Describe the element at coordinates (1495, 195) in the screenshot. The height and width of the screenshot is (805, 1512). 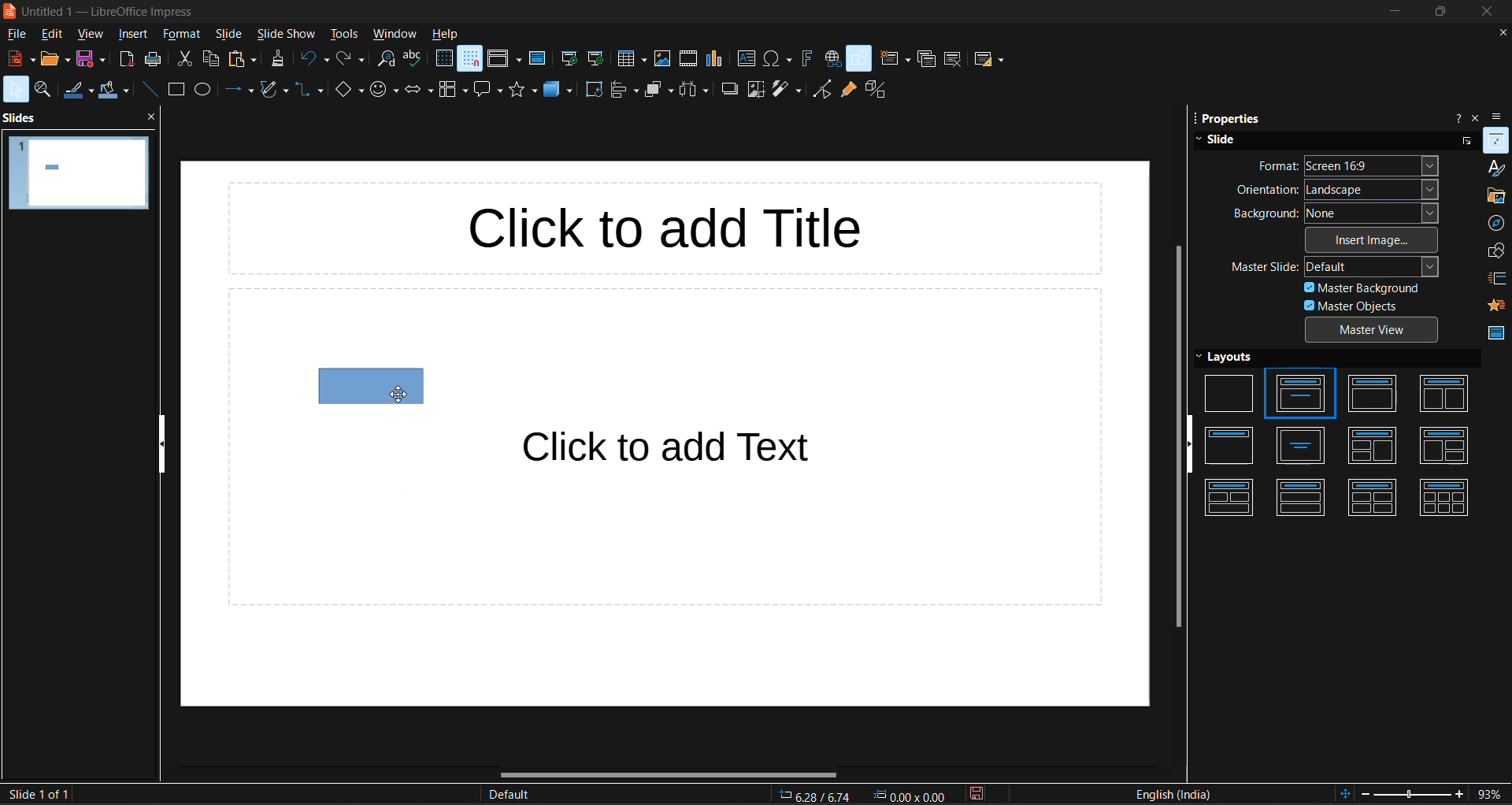
I see `gallery` at that location.